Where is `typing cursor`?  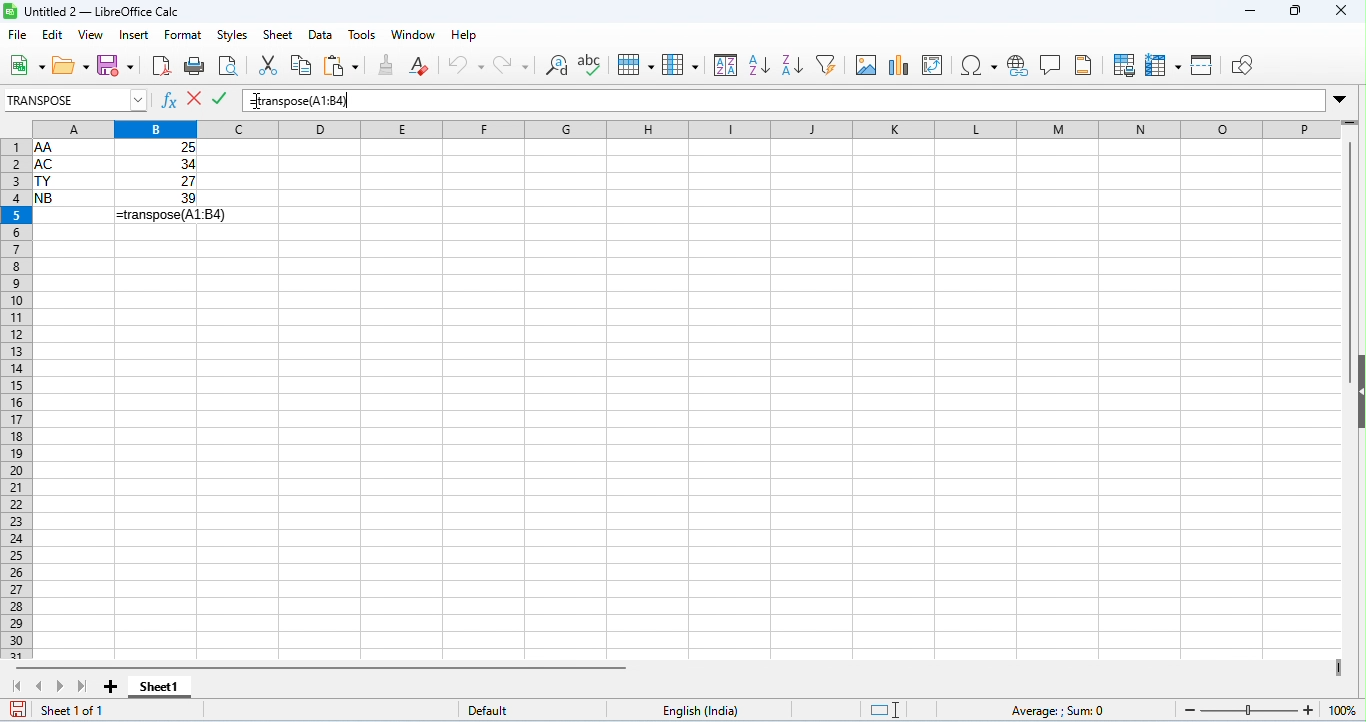
typing cursor is located at coordinates (349, 103).